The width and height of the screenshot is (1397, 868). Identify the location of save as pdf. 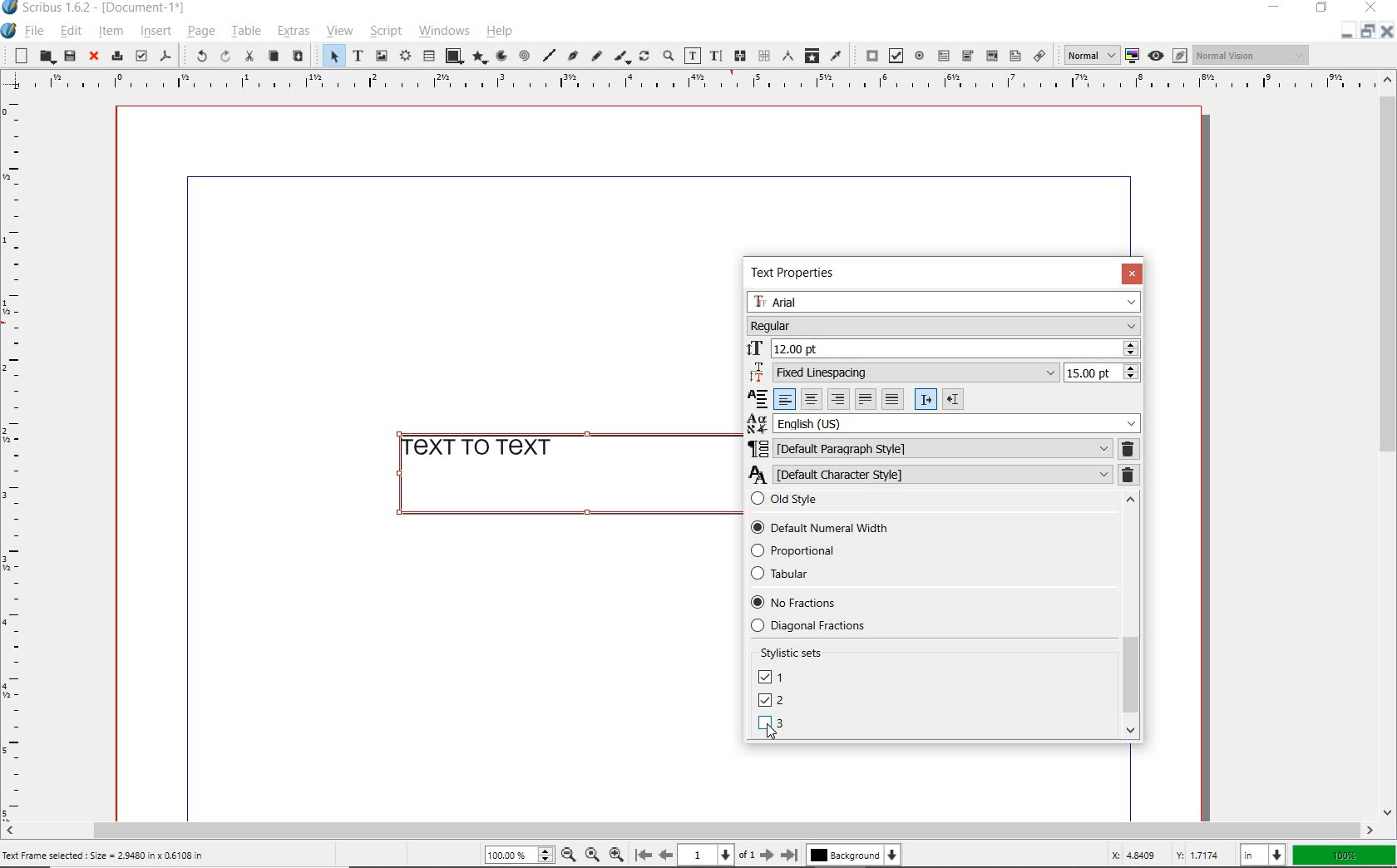
(166, 57).